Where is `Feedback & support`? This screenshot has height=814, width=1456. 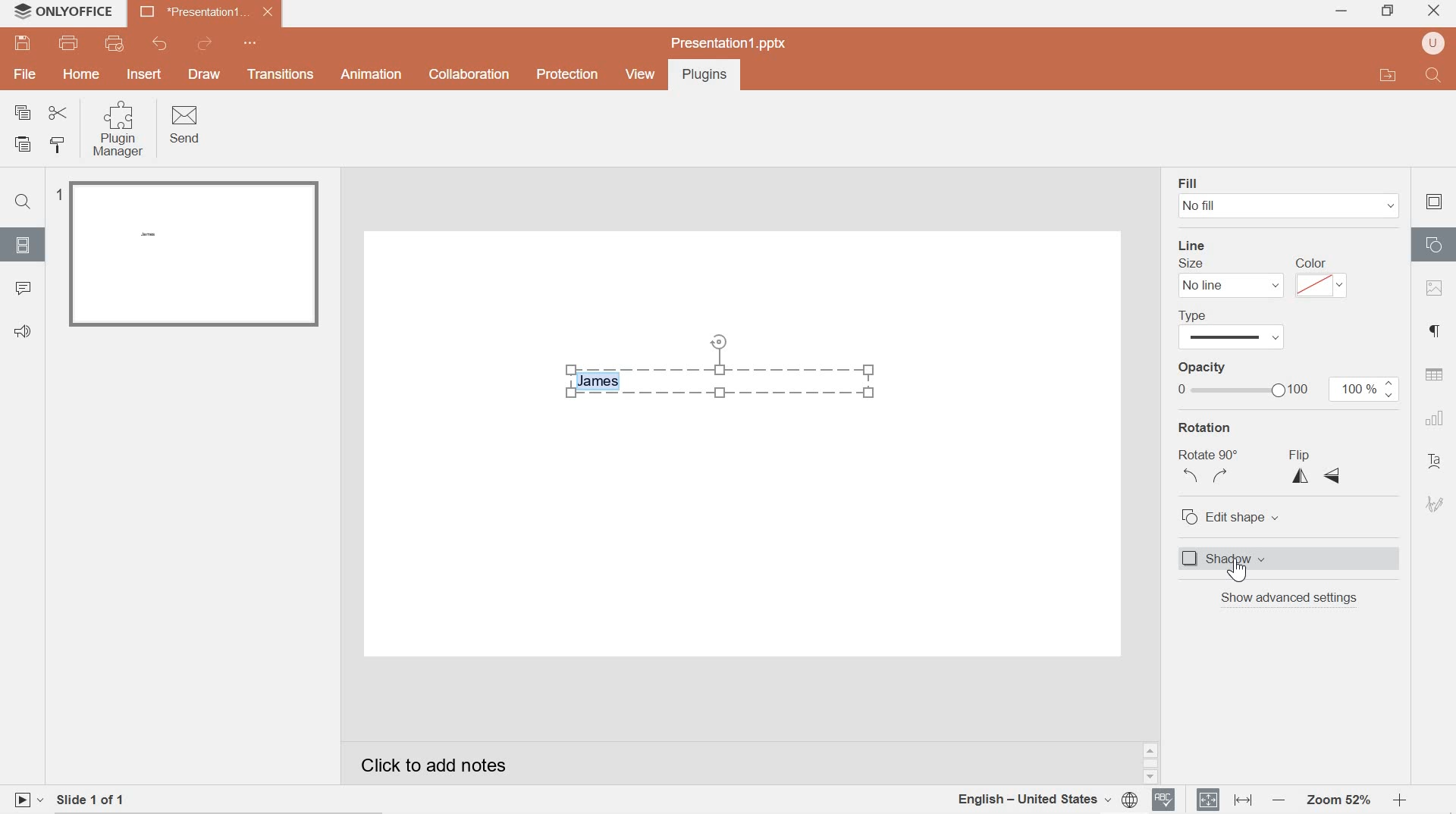 Feedback & support is located at coordinates (23, 331).